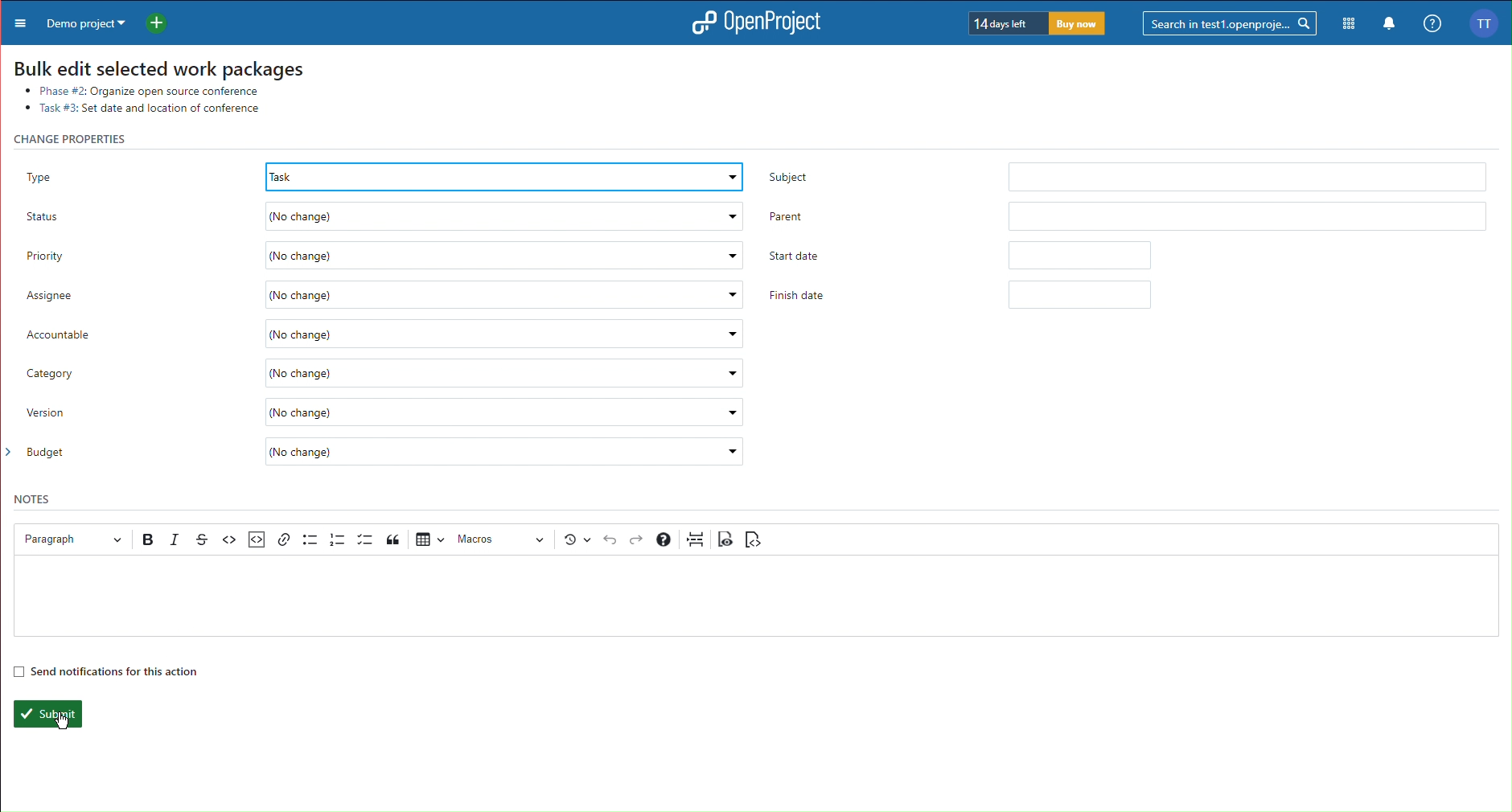 This screenshot has height=812, width=1512. What do you see at coordinates (957, 254) in the screenshot?
I see `Start date` at bounding box center [957, 254].